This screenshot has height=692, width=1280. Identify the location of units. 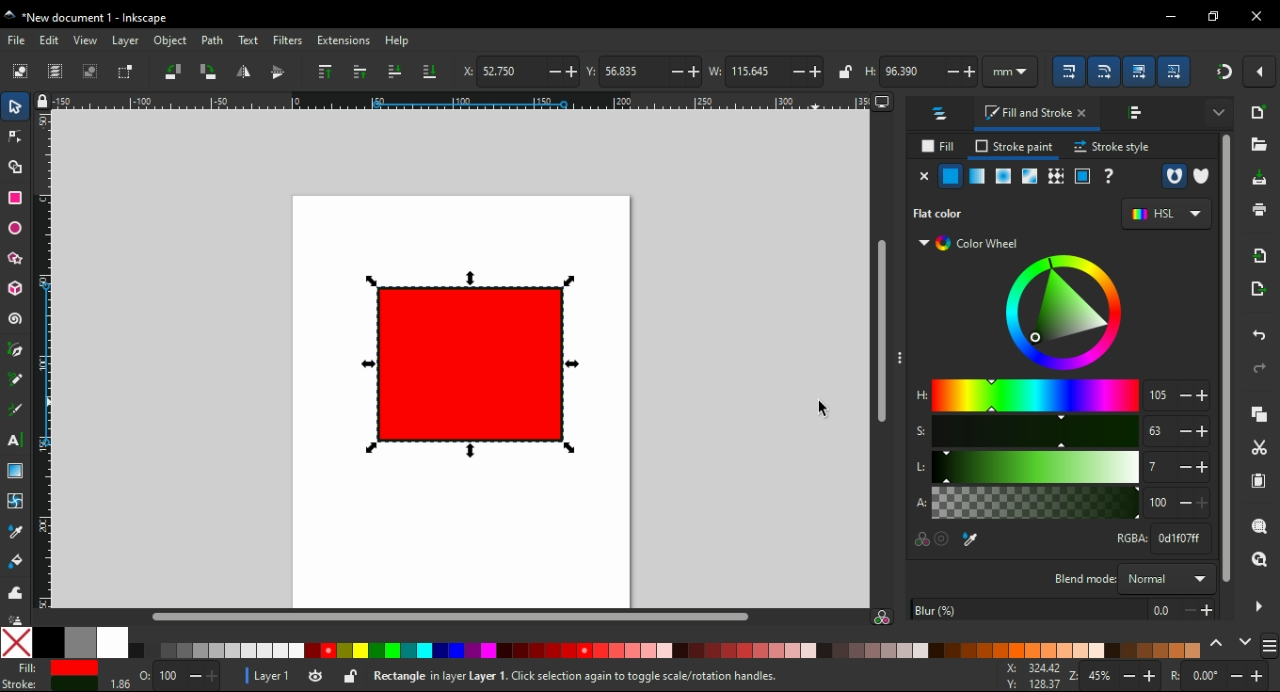
(1013, 71).